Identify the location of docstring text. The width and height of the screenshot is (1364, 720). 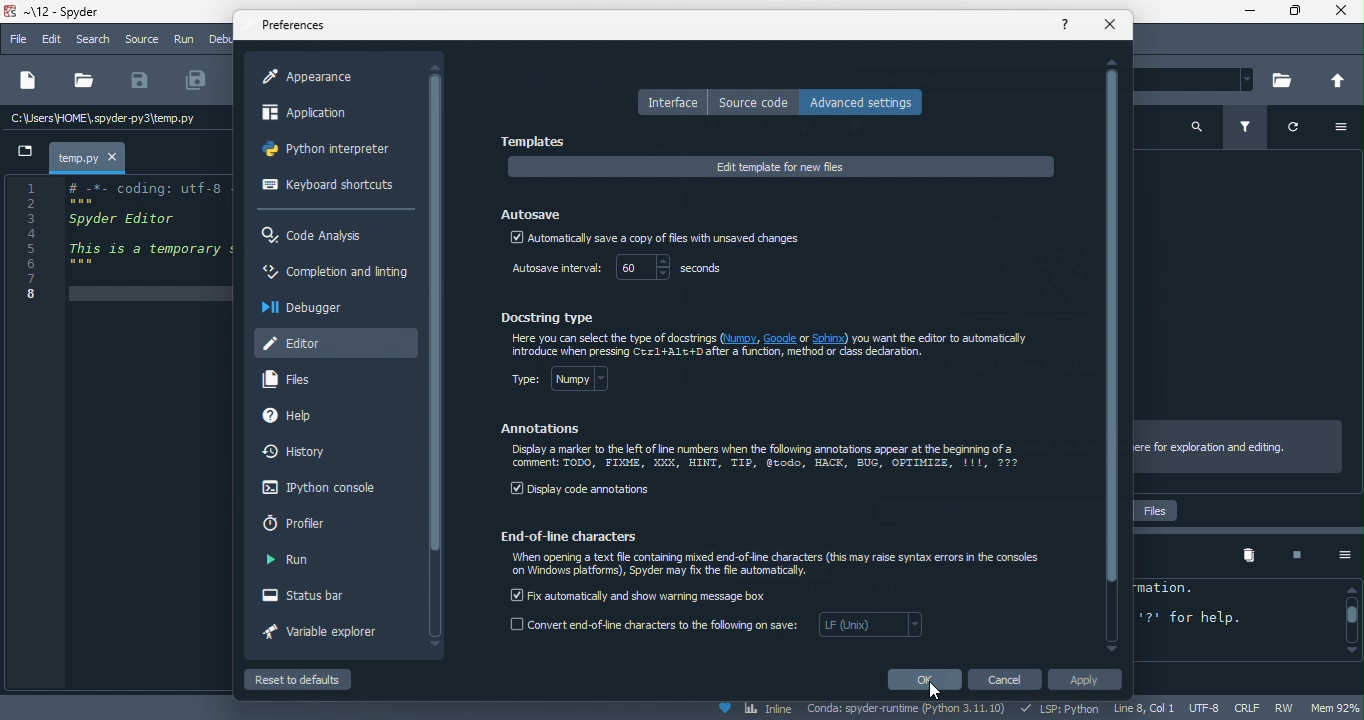
(776, 346).